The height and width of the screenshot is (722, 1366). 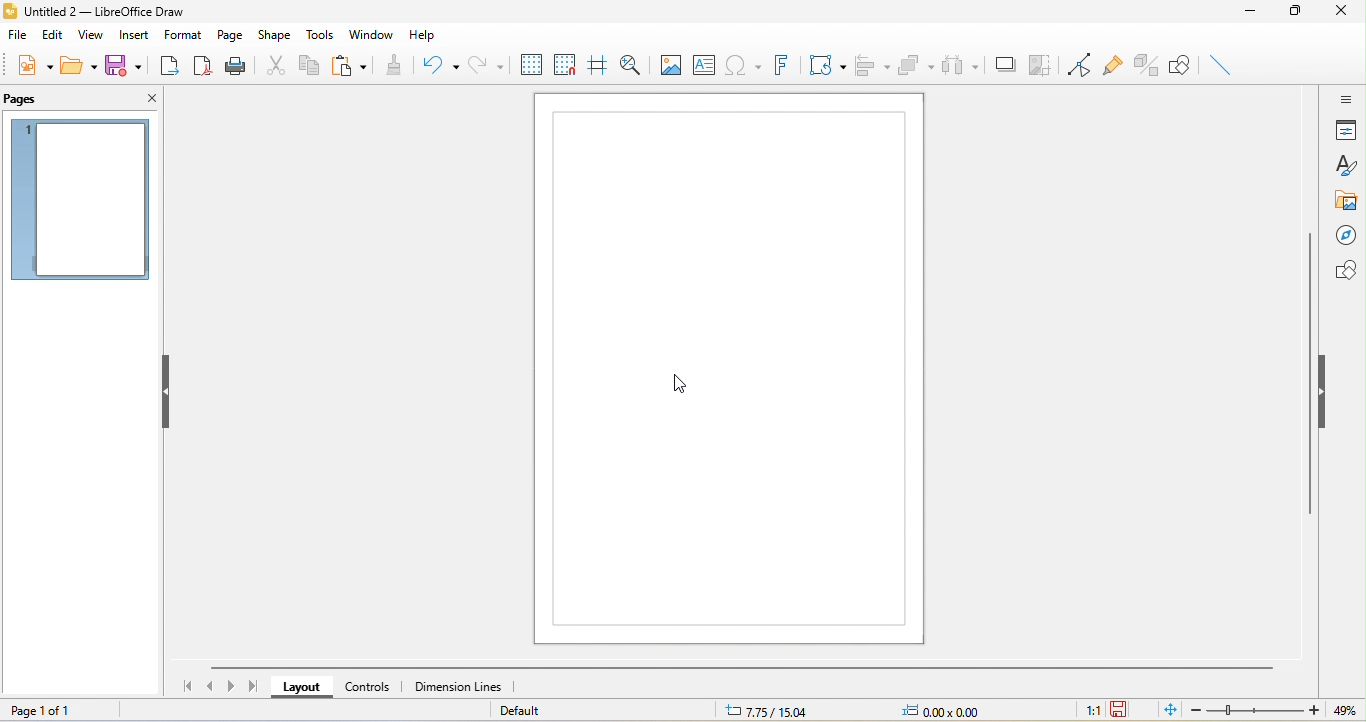 What do you see at coordinates (277, 66) in the screenshot?
I see `cut` at bounding box center [277, 66].